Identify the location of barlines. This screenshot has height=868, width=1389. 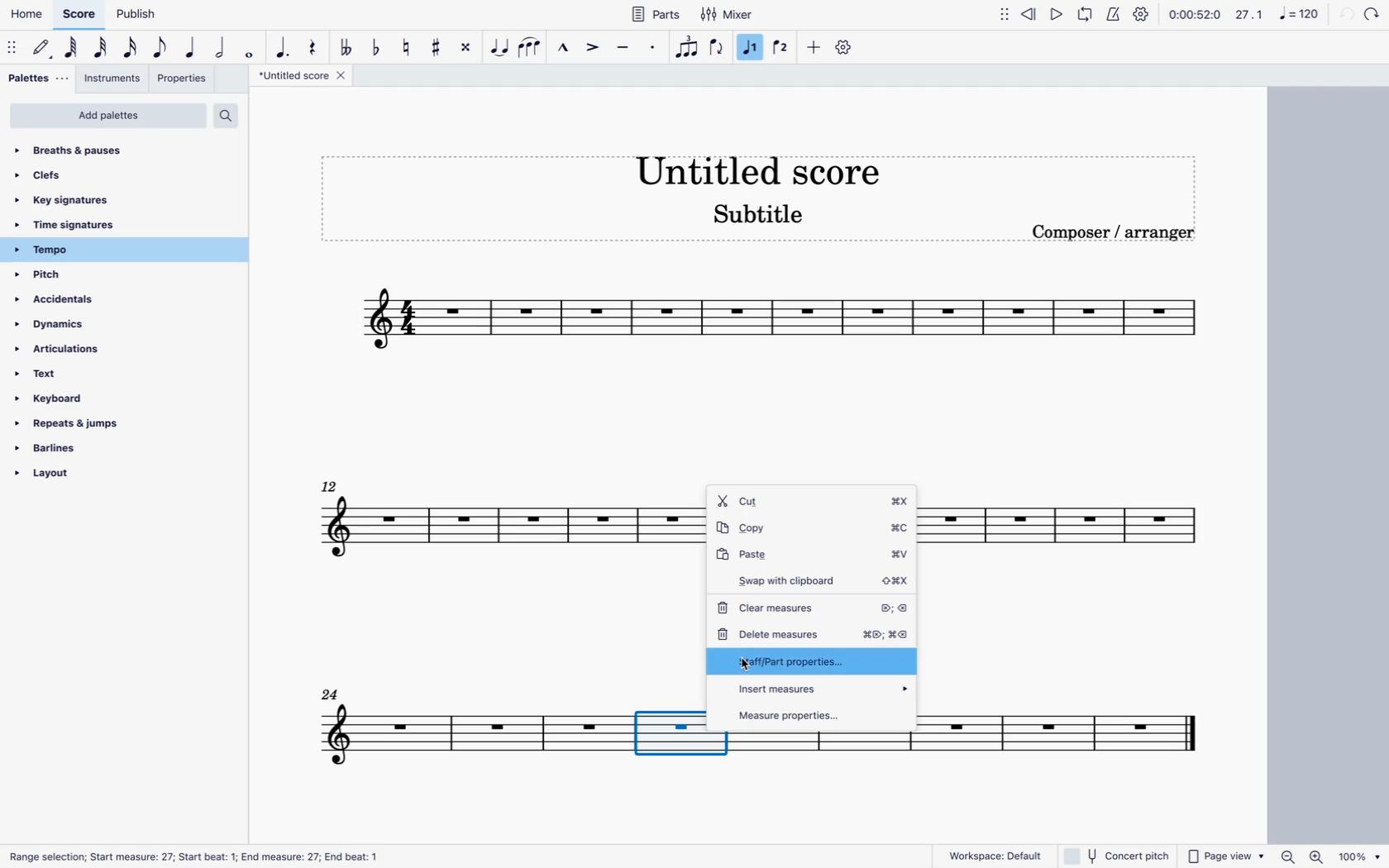
(103, 448).